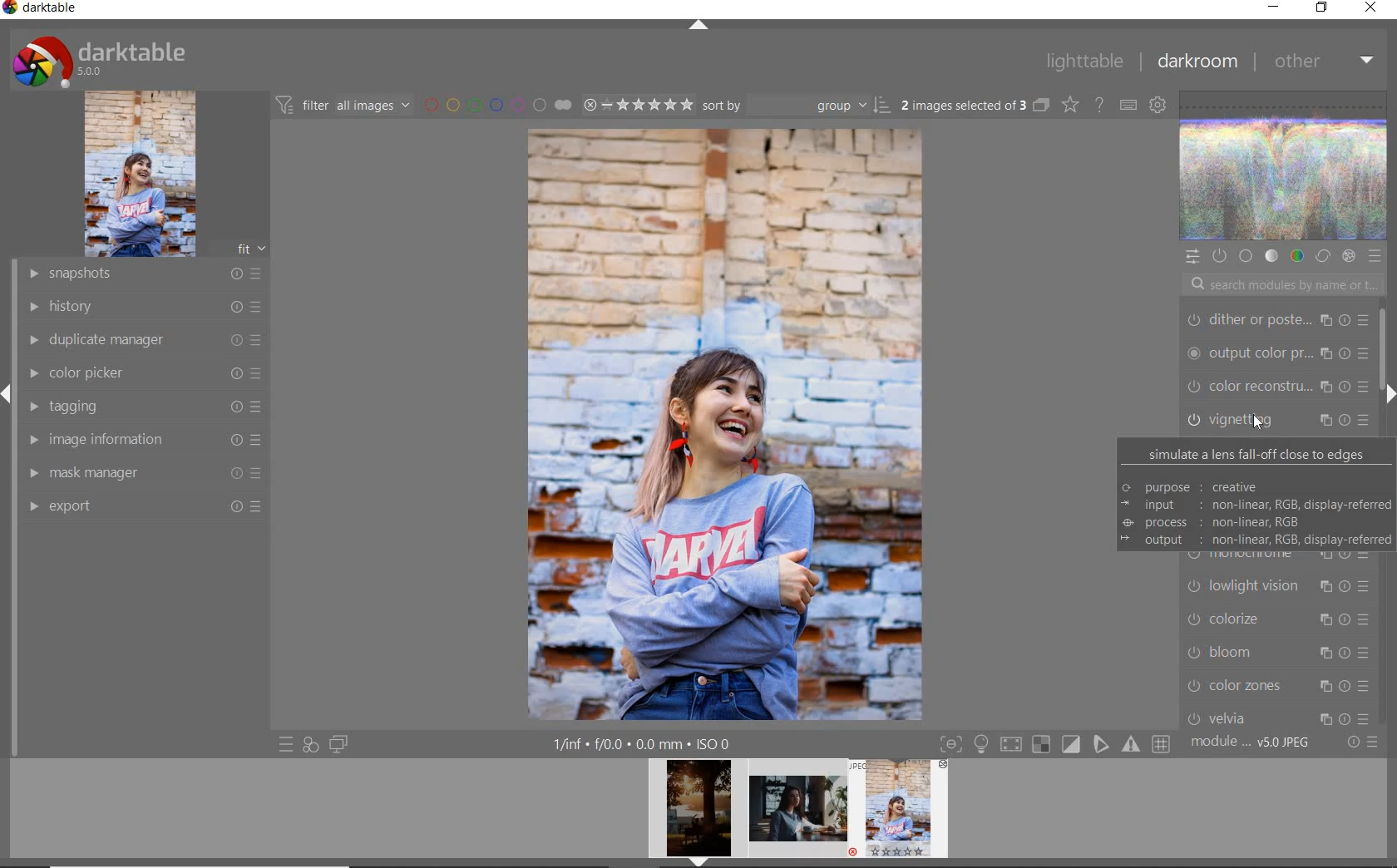  I want to click on toggle modes, so click(1055, 742).